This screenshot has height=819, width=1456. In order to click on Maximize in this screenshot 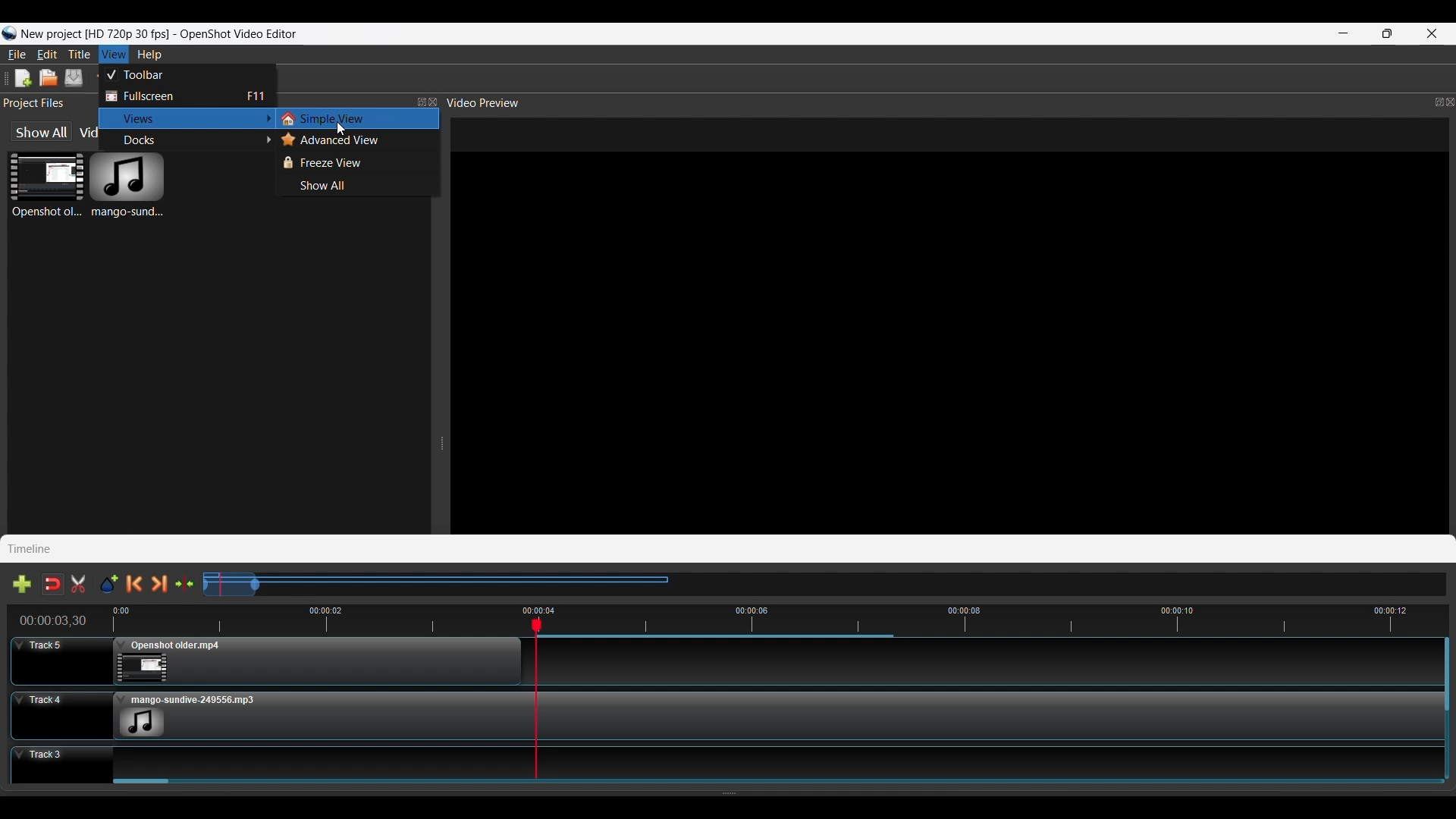, I will do `click(1429, 99)`.